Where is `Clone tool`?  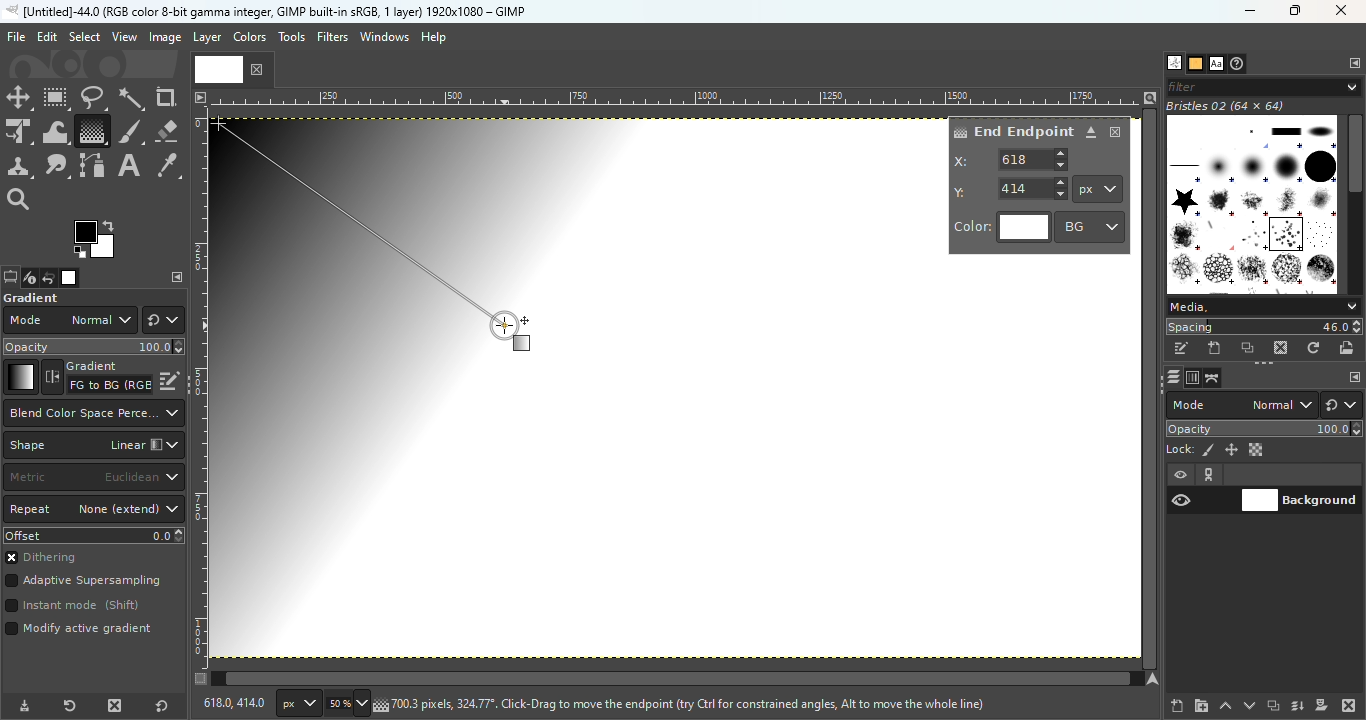 Clone tool is located at coordinates (19, 167).